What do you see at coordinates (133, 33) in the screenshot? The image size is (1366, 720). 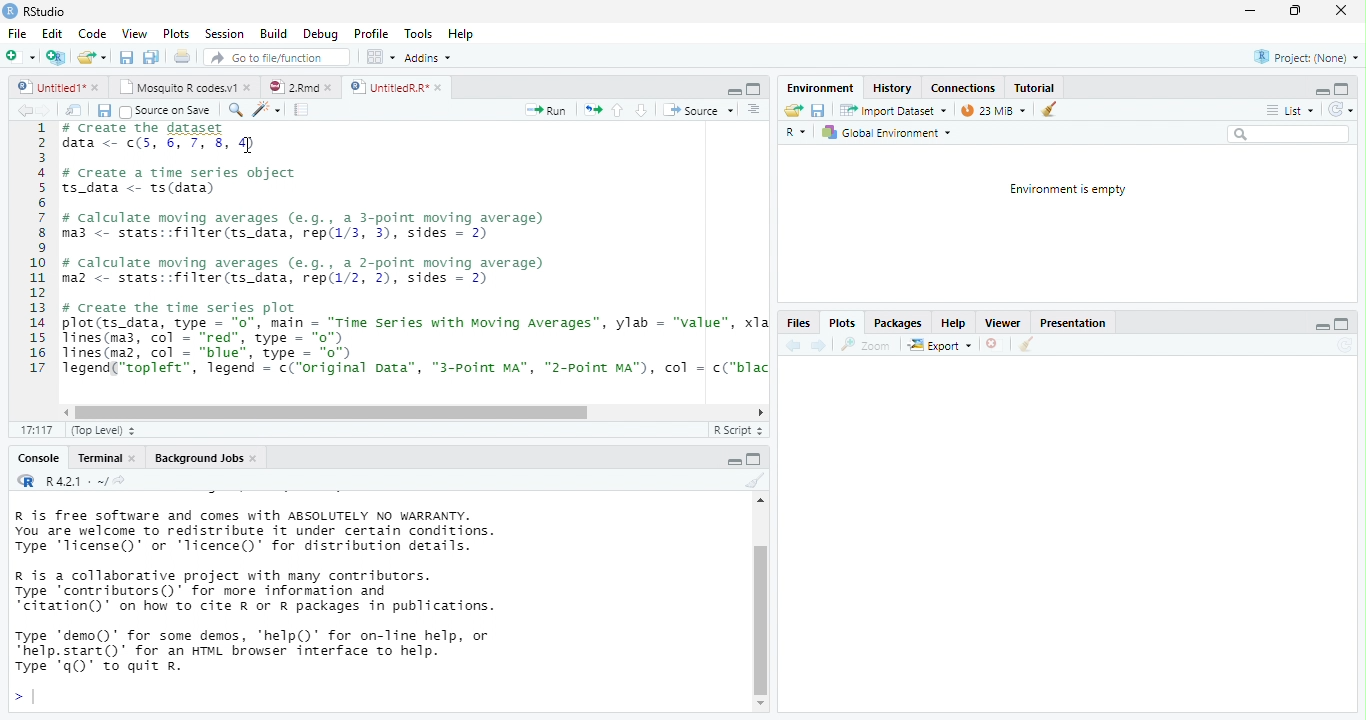 I see `View` at bounding box center [133, 33].